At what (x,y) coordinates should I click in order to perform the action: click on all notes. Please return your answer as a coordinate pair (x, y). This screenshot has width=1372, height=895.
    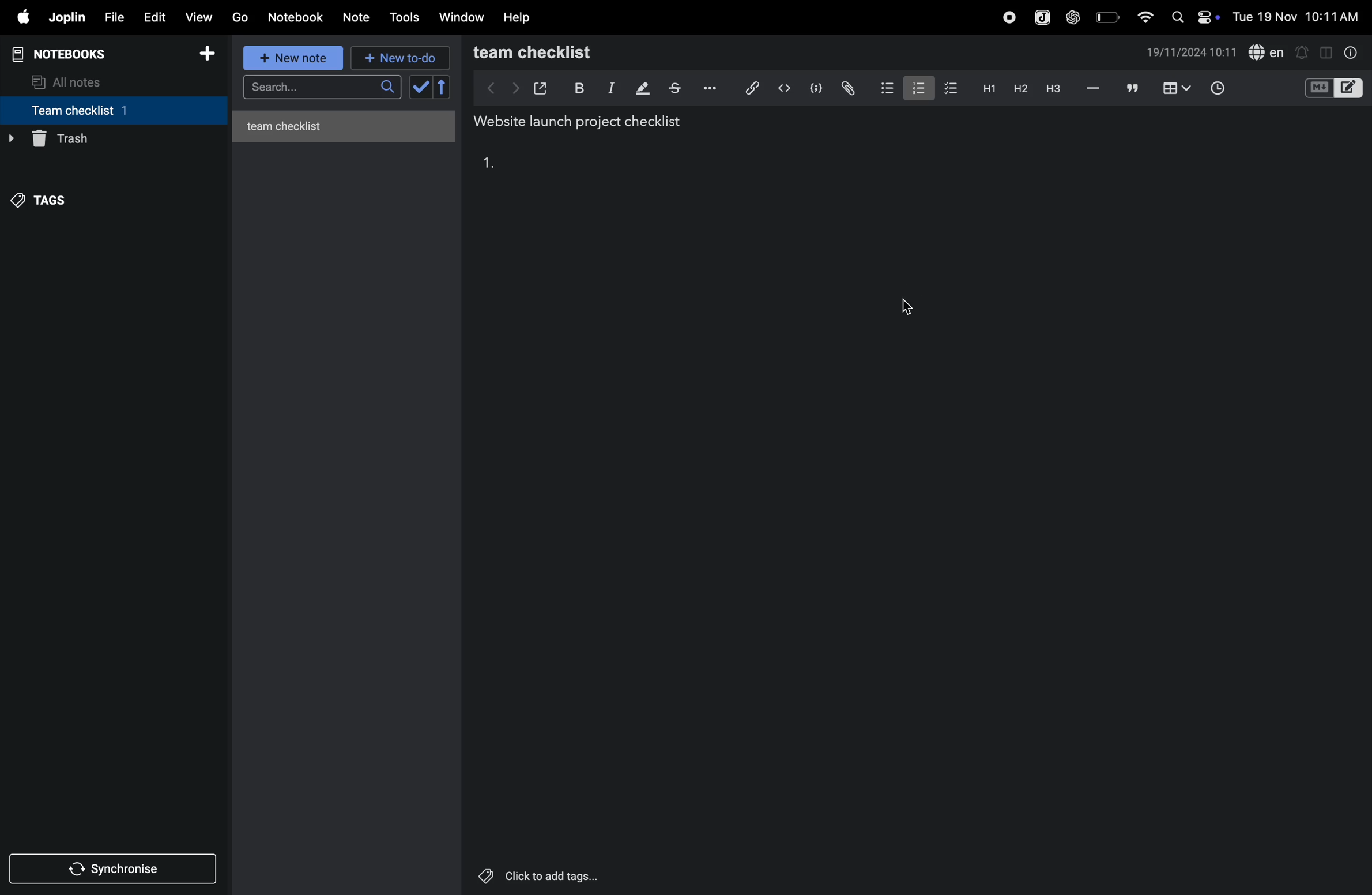
    Looking at the image, I should click on (76, 81).